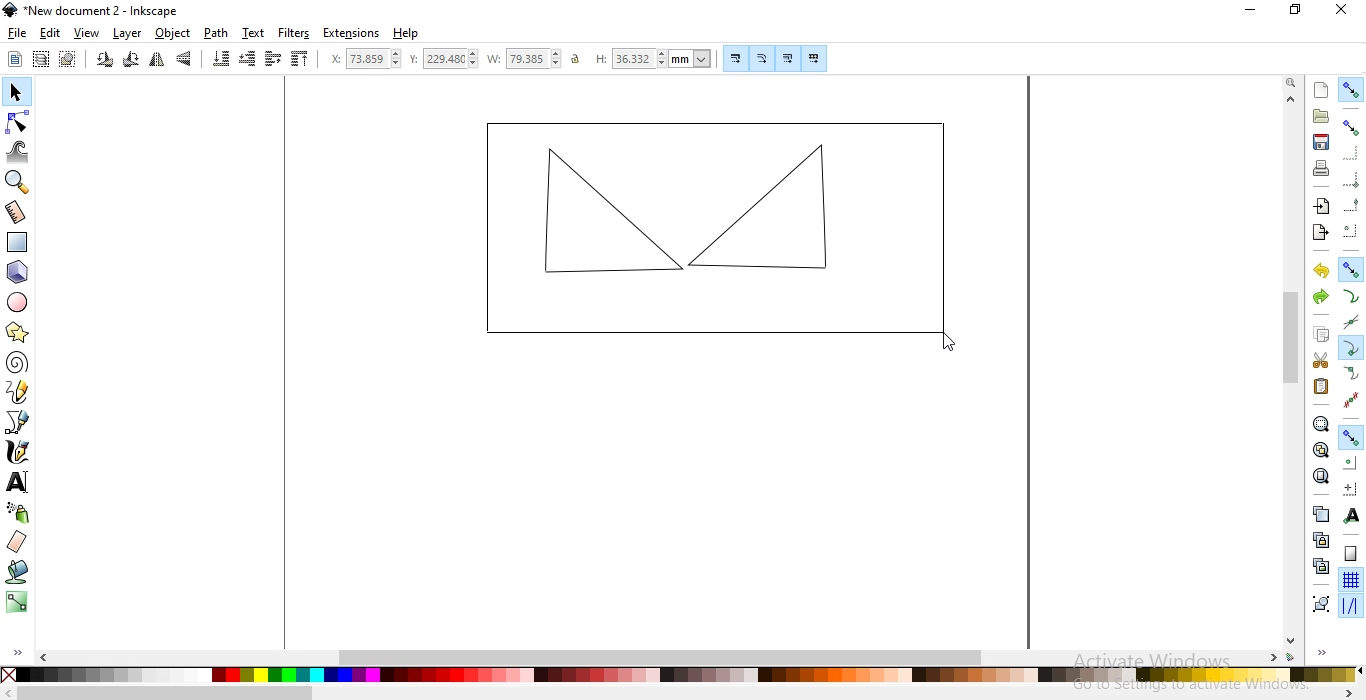  I want to click on minimize, so click(1254, 12).